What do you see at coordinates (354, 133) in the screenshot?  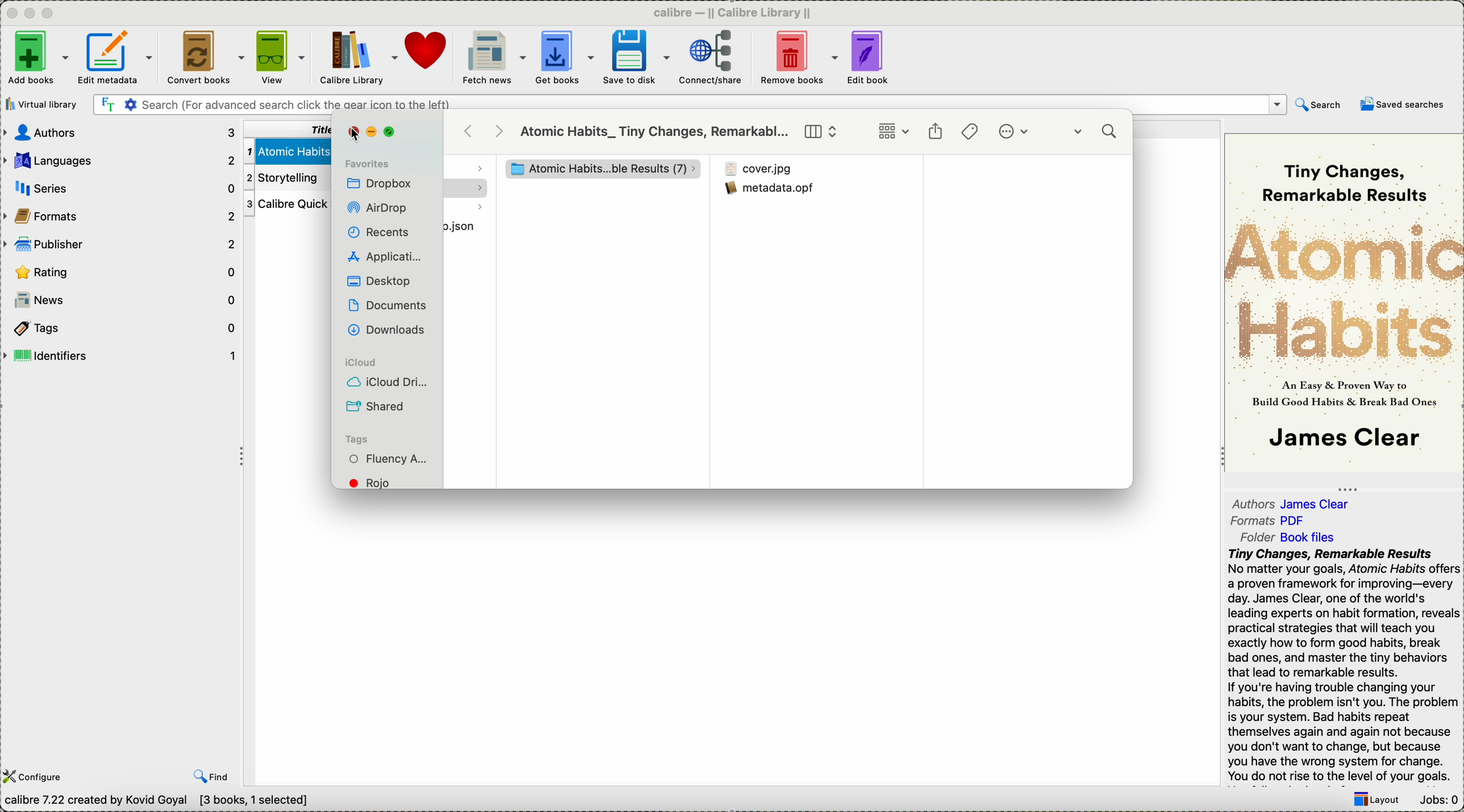 I see `click on close window` at bounding box center [354, 133].